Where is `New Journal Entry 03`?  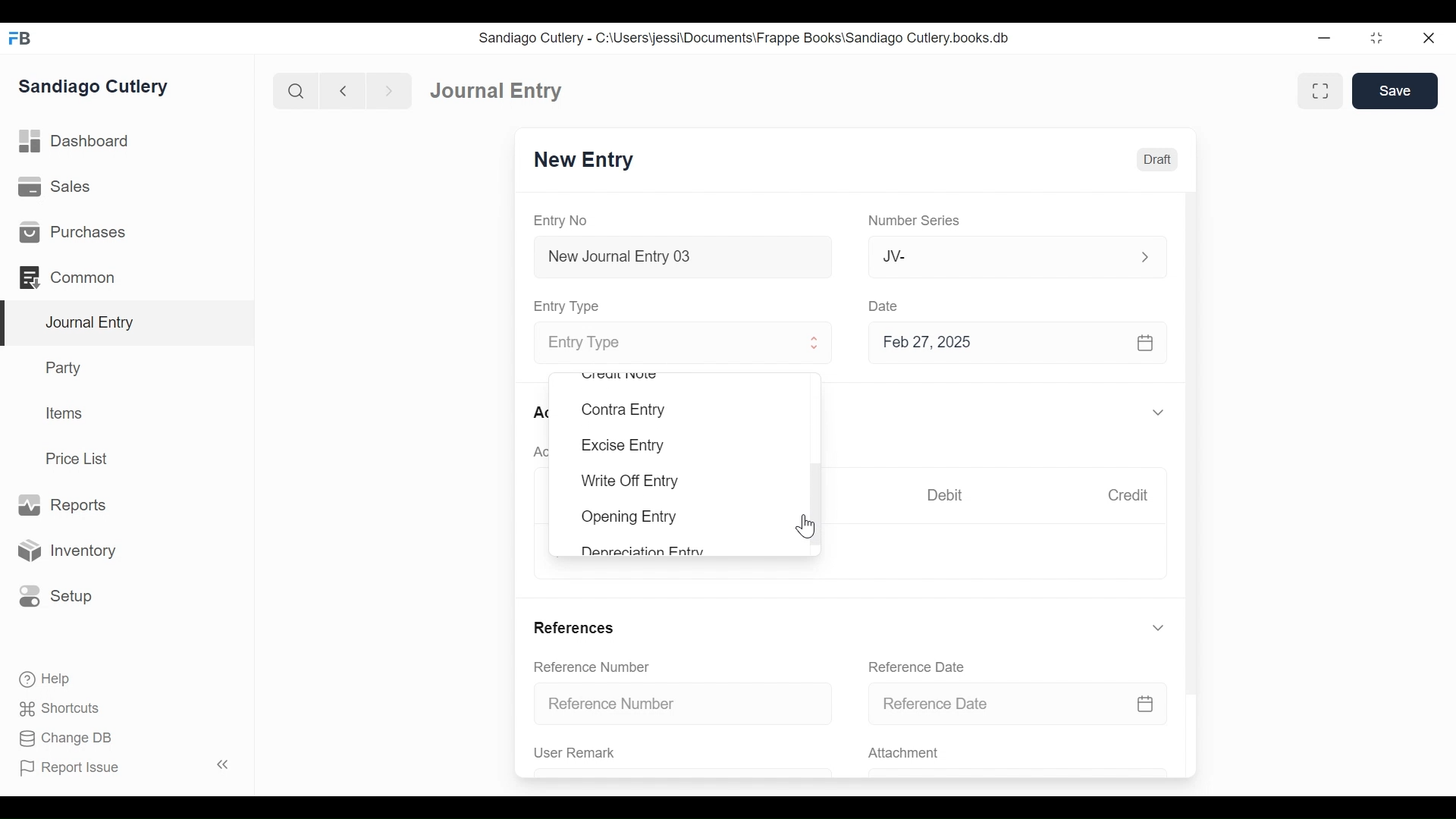 New Journal Entry 03 is located at coordinates (679, 257).